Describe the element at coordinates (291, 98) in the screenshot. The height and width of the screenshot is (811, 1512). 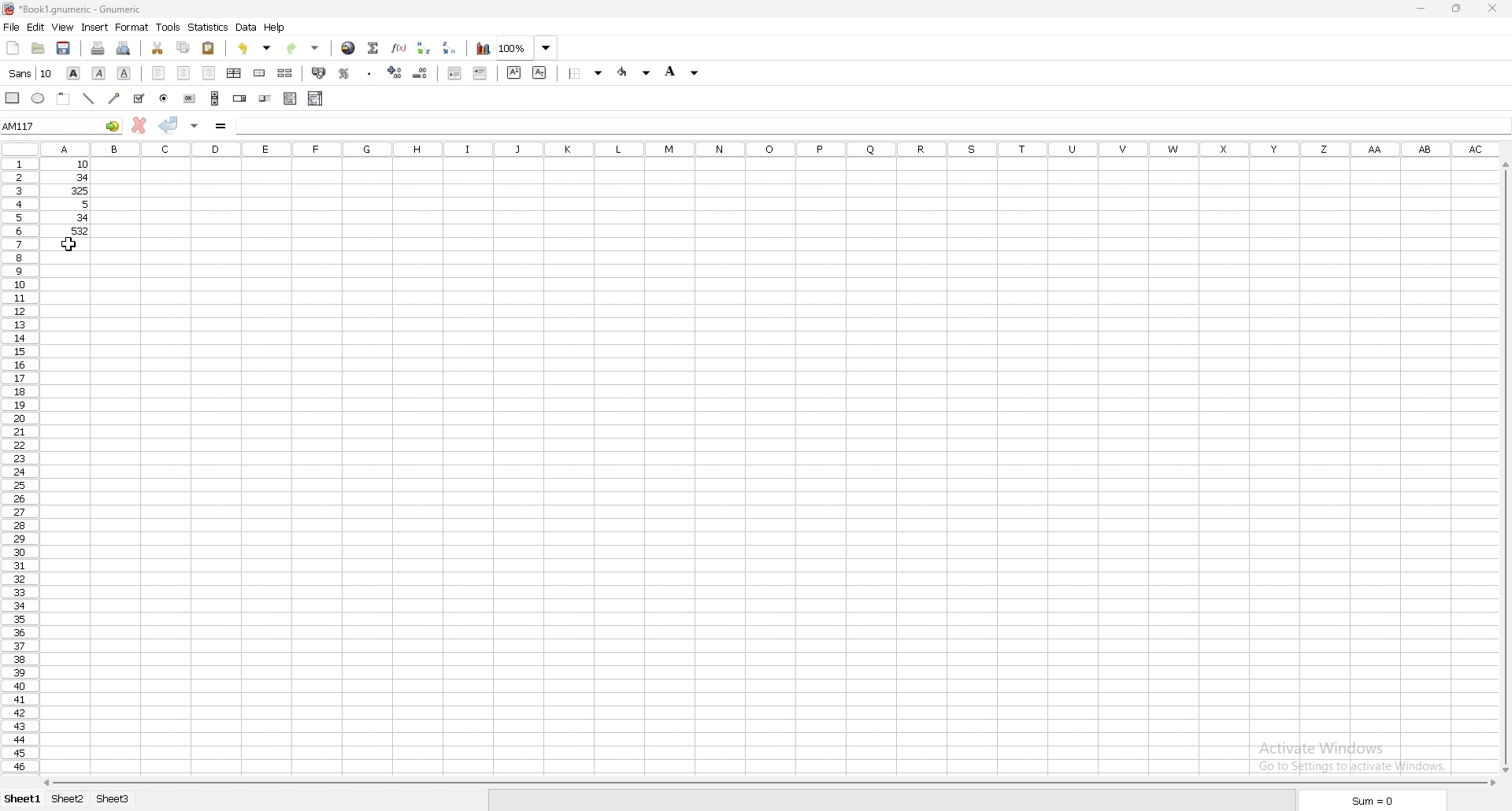
I see `list` at that location.